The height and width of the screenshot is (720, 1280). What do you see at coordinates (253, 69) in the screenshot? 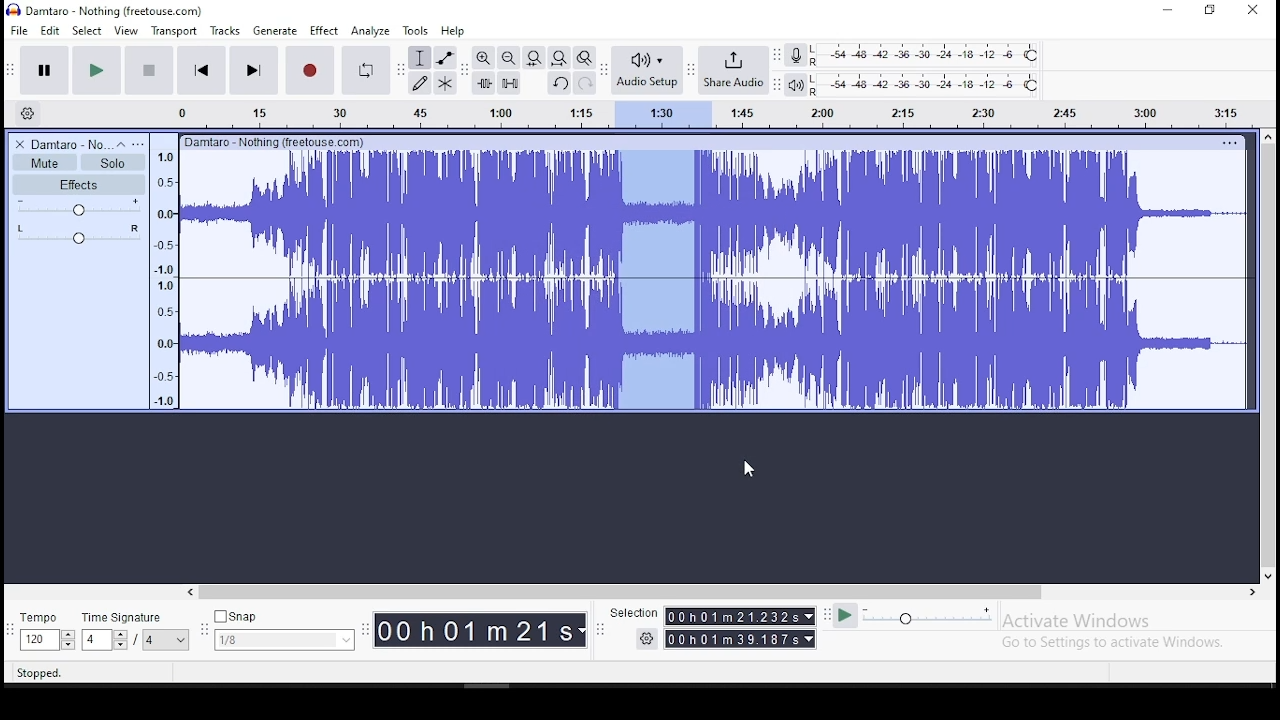
I see `skip to start` at bounding box center [253, 69].